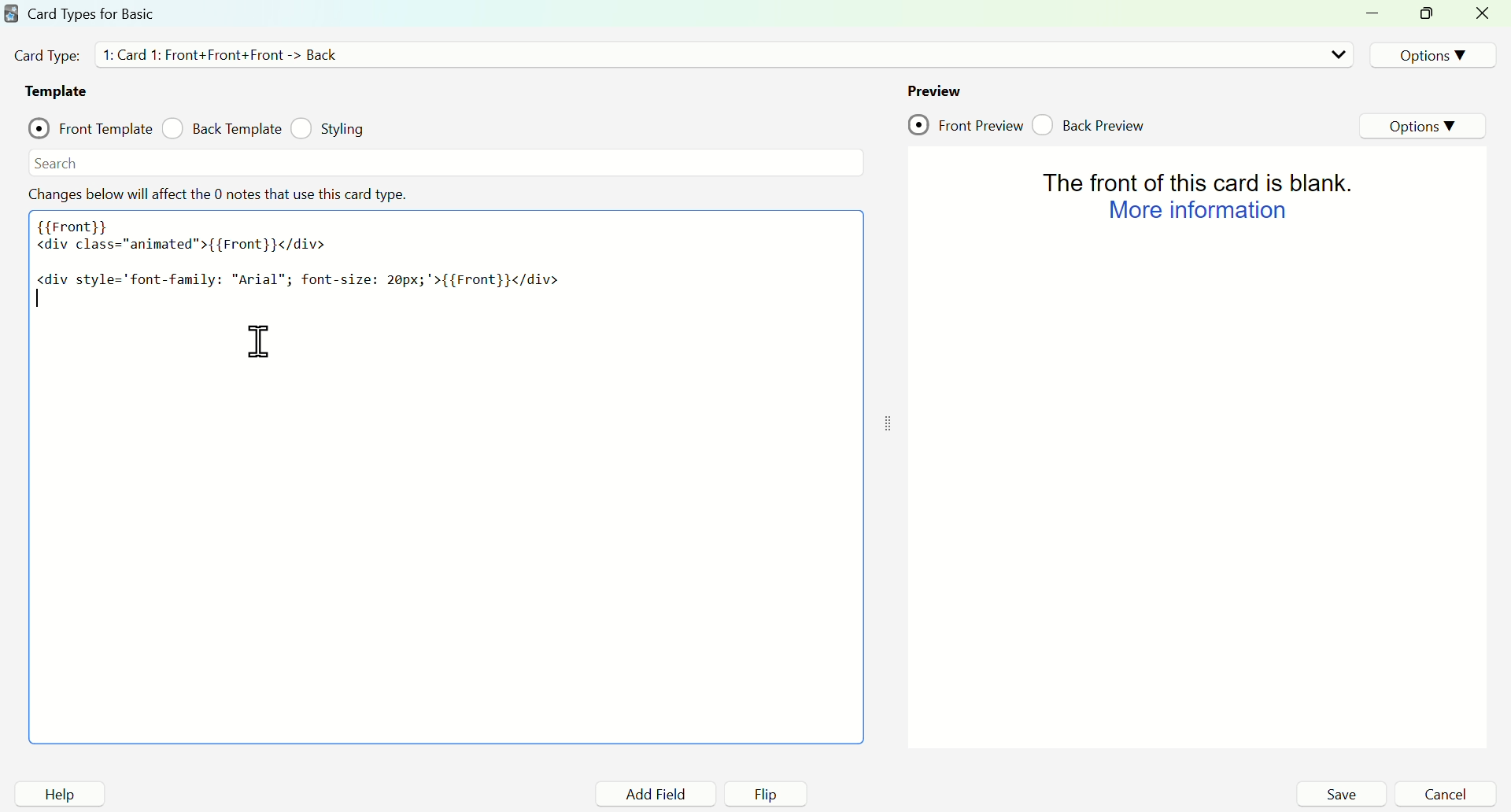 The width and height of the screenshot is (1511, 812). What do you see at coordinates (1338, 54) in the screenshot?
I see `dropdown` at bounding box center [1338, 54].